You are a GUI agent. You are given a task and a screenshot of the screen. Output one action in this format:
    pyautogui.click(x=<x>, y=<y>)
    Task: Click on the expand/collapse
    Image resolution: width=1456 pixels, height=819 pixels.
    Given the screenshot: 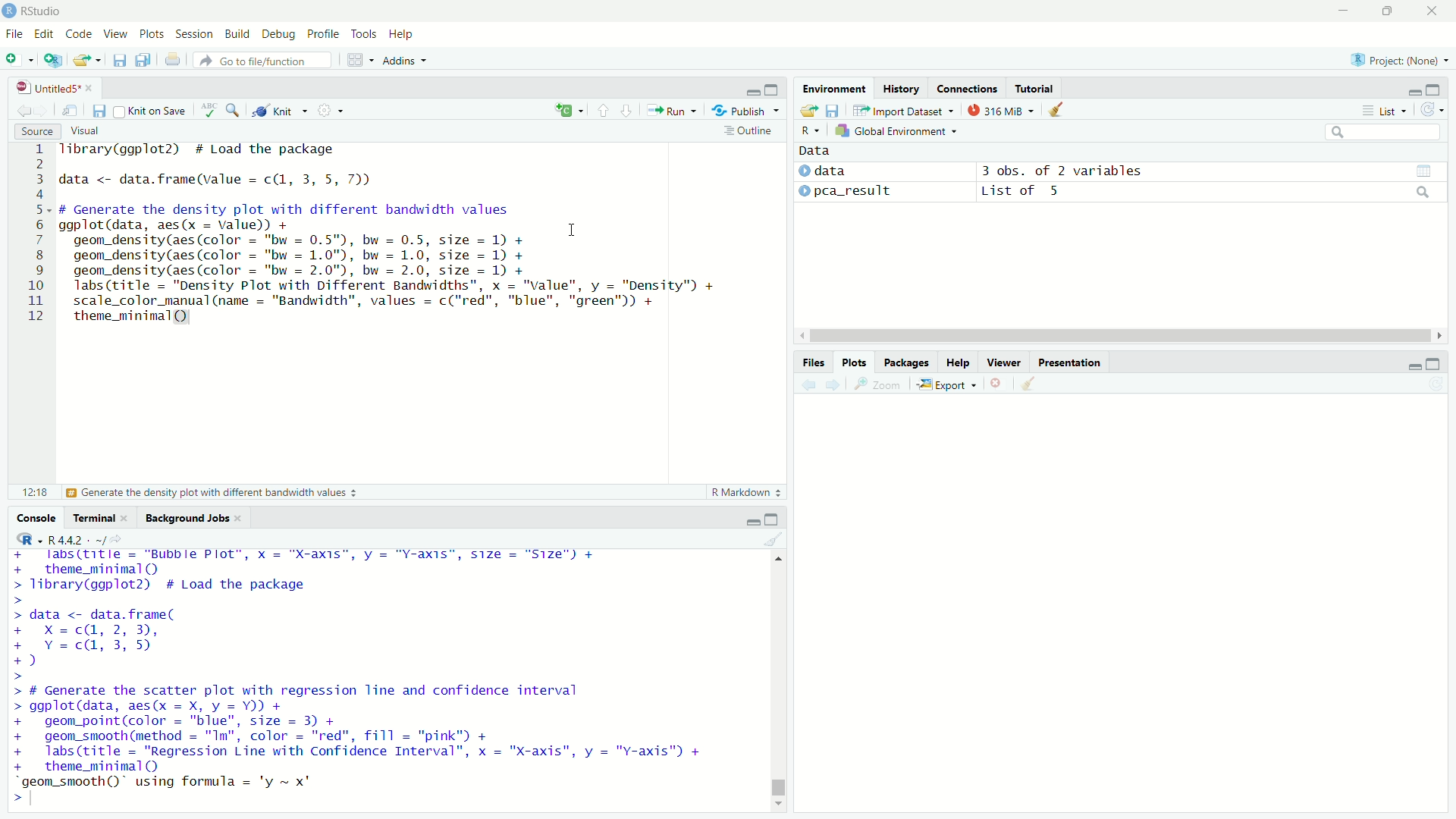 What is the action you would take?
    pyautogui.click(x=803, y=171)
    